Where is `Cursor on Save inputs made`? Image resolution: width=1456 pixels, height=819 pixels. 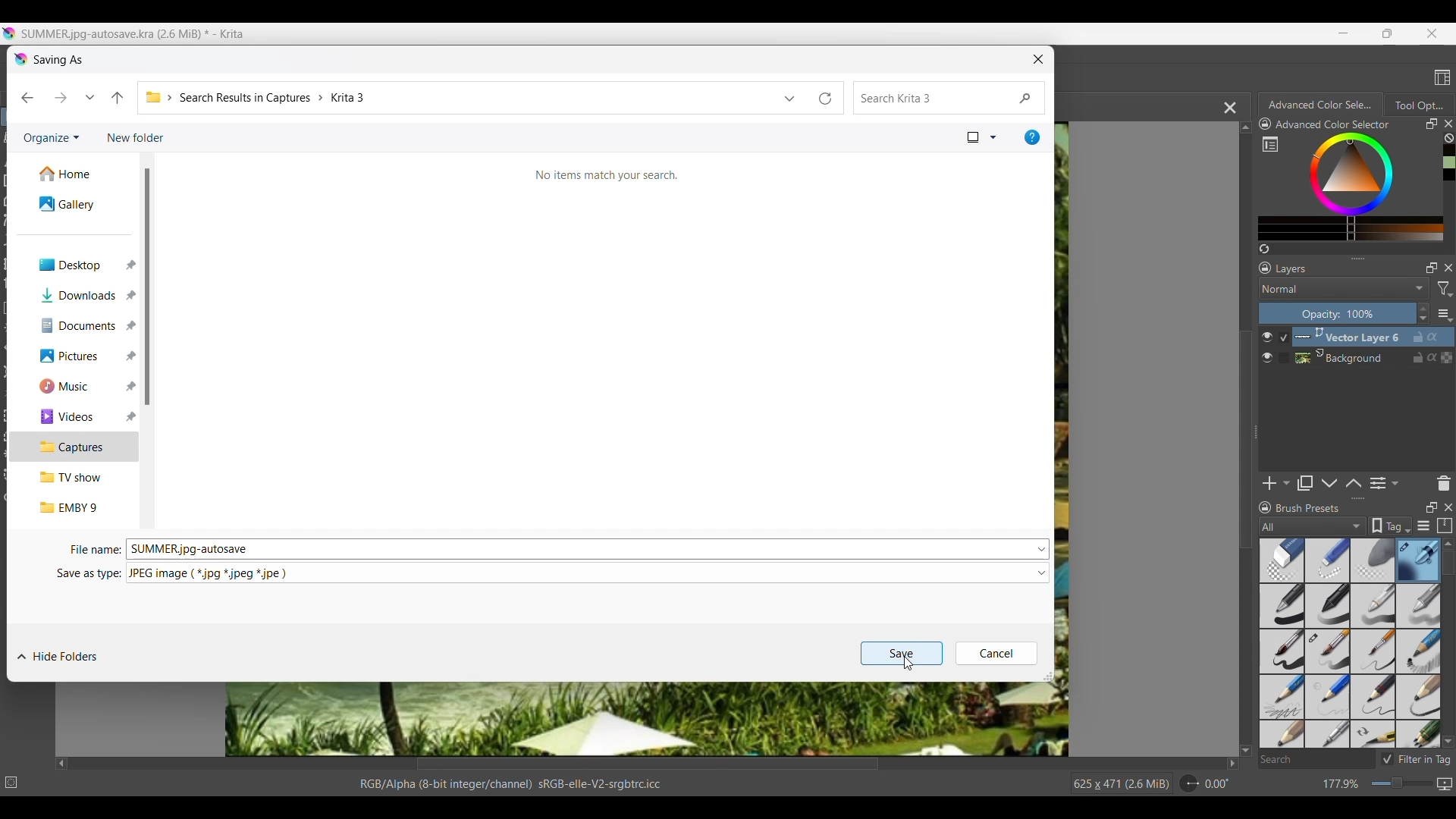
Cursor on Save inputs made is located at coordinates (902, 659).